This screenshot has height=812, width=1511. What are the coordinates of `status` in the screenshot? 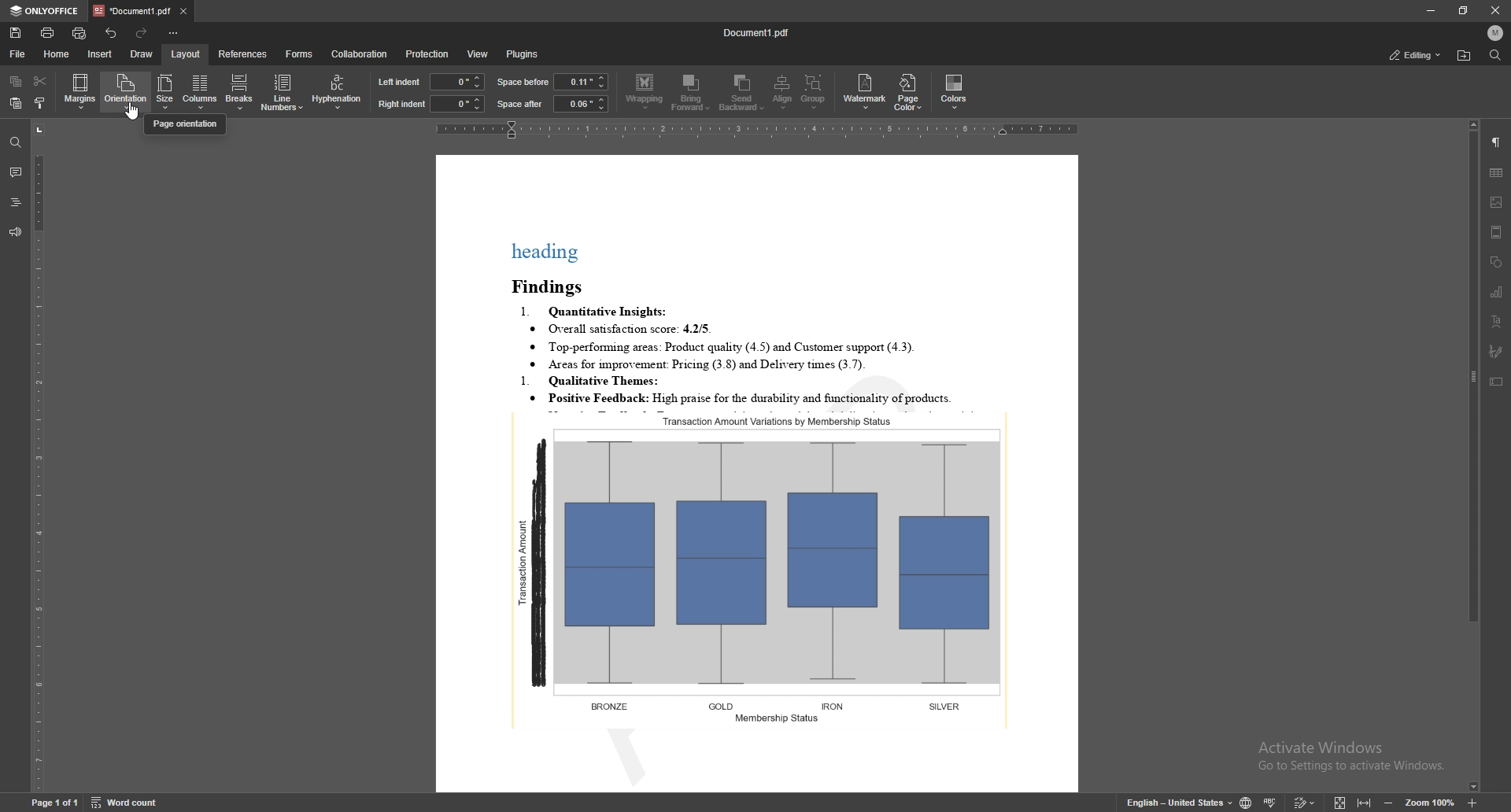 It's located at (1417, 54).